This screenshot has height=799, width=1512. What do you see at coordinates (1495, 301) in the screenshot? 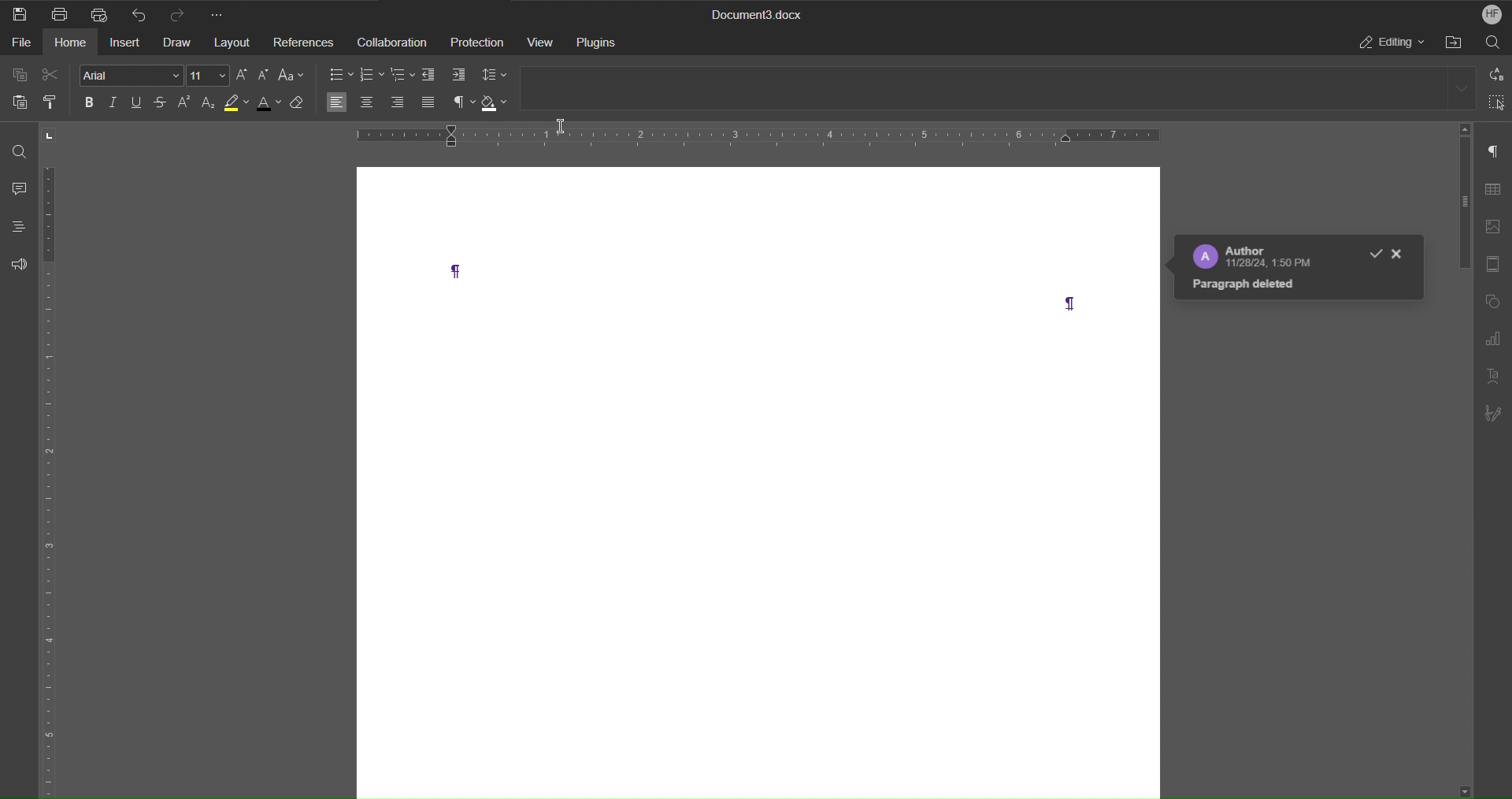
I see `Shape Settings` at bounding box center [1495, 301].